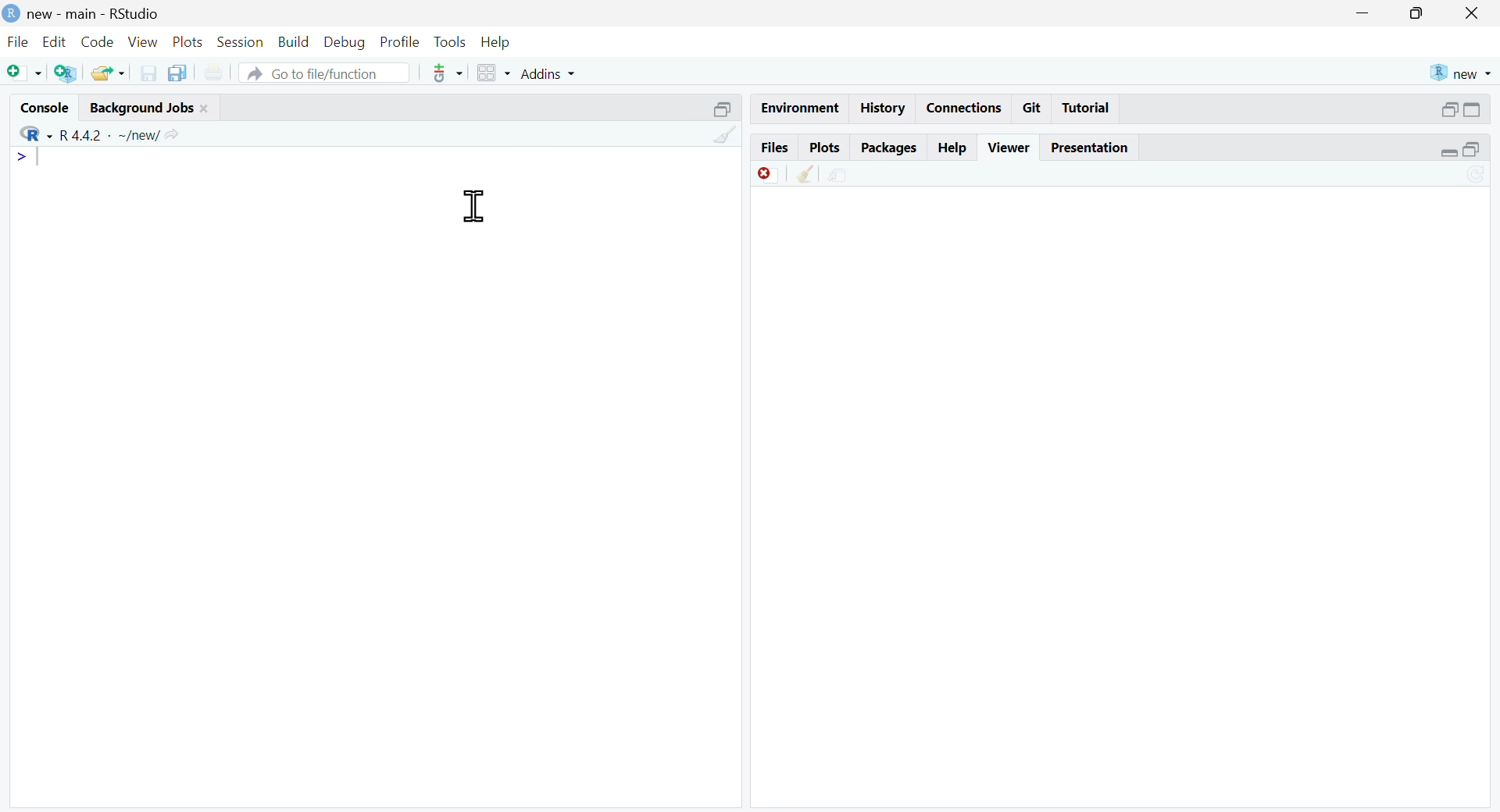 The height and width of the screenshot is (812, 1500). I want to click on plots, so click(825, 148).